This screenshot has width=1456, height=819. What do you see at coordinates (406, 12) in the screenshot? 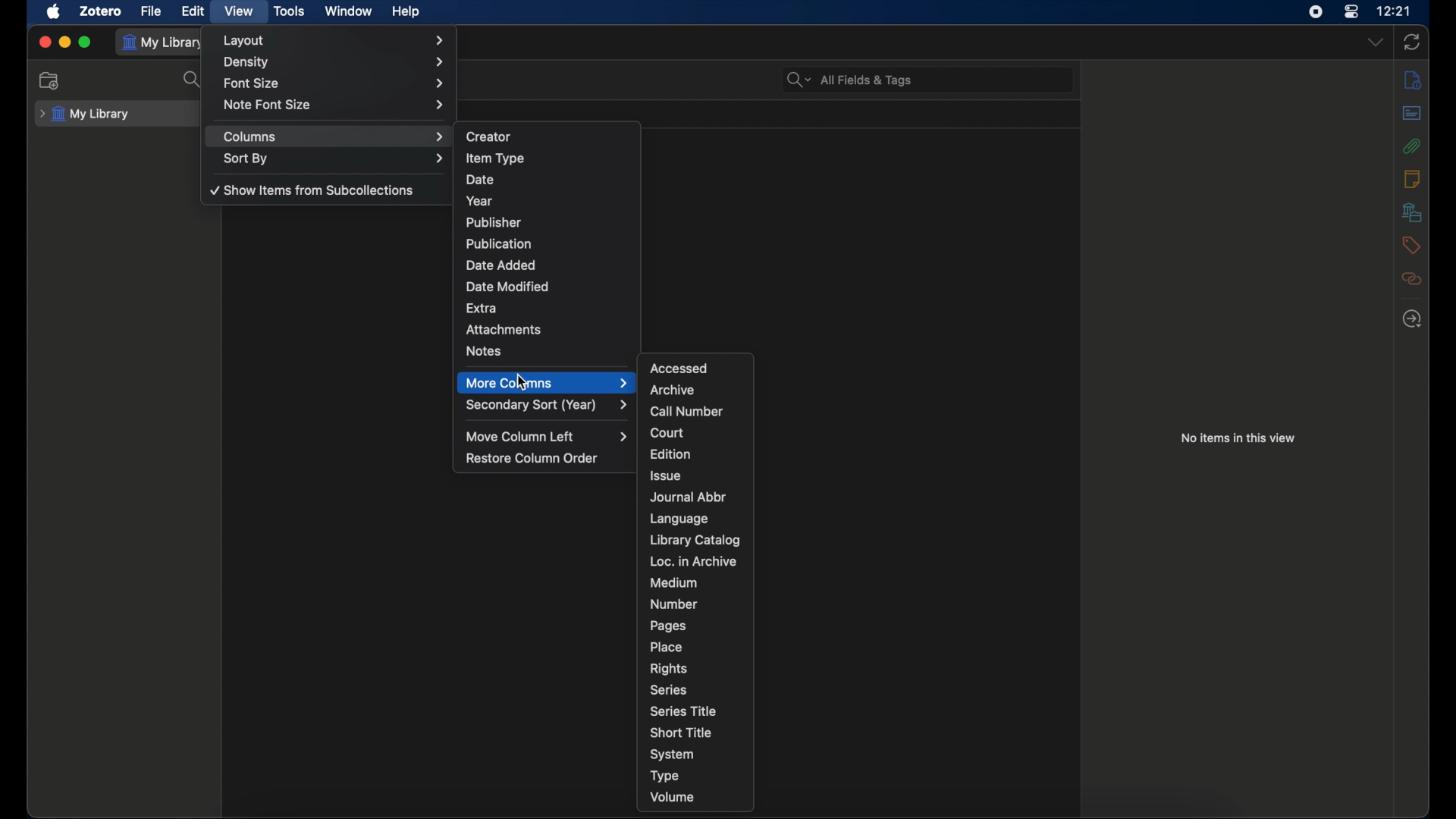
I see `help` at bounding box center [406, 12].